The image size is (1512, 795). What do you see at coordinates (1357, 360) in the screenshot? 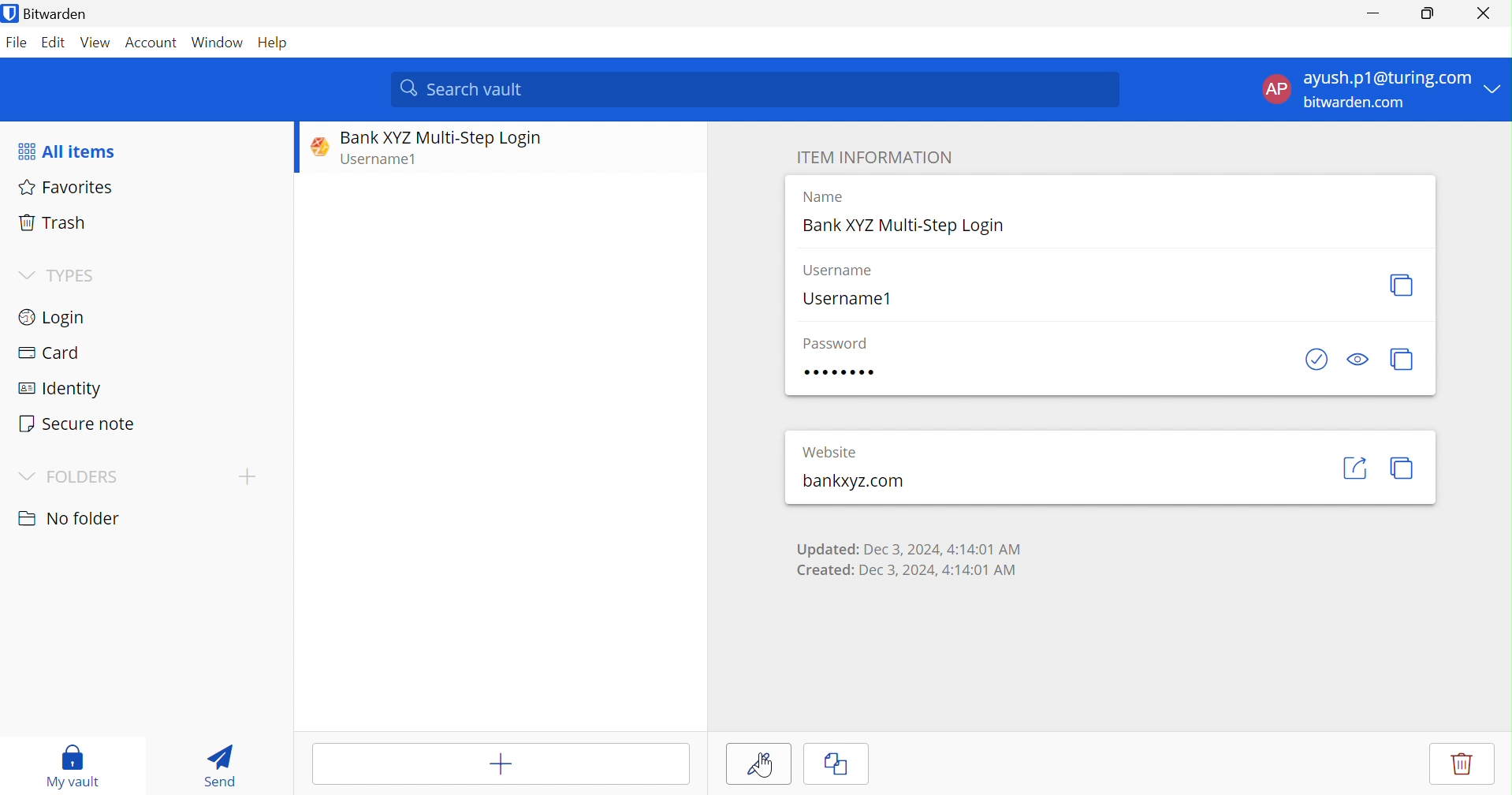
I see `Toggle visibility` at bounding box center [1357, 360].